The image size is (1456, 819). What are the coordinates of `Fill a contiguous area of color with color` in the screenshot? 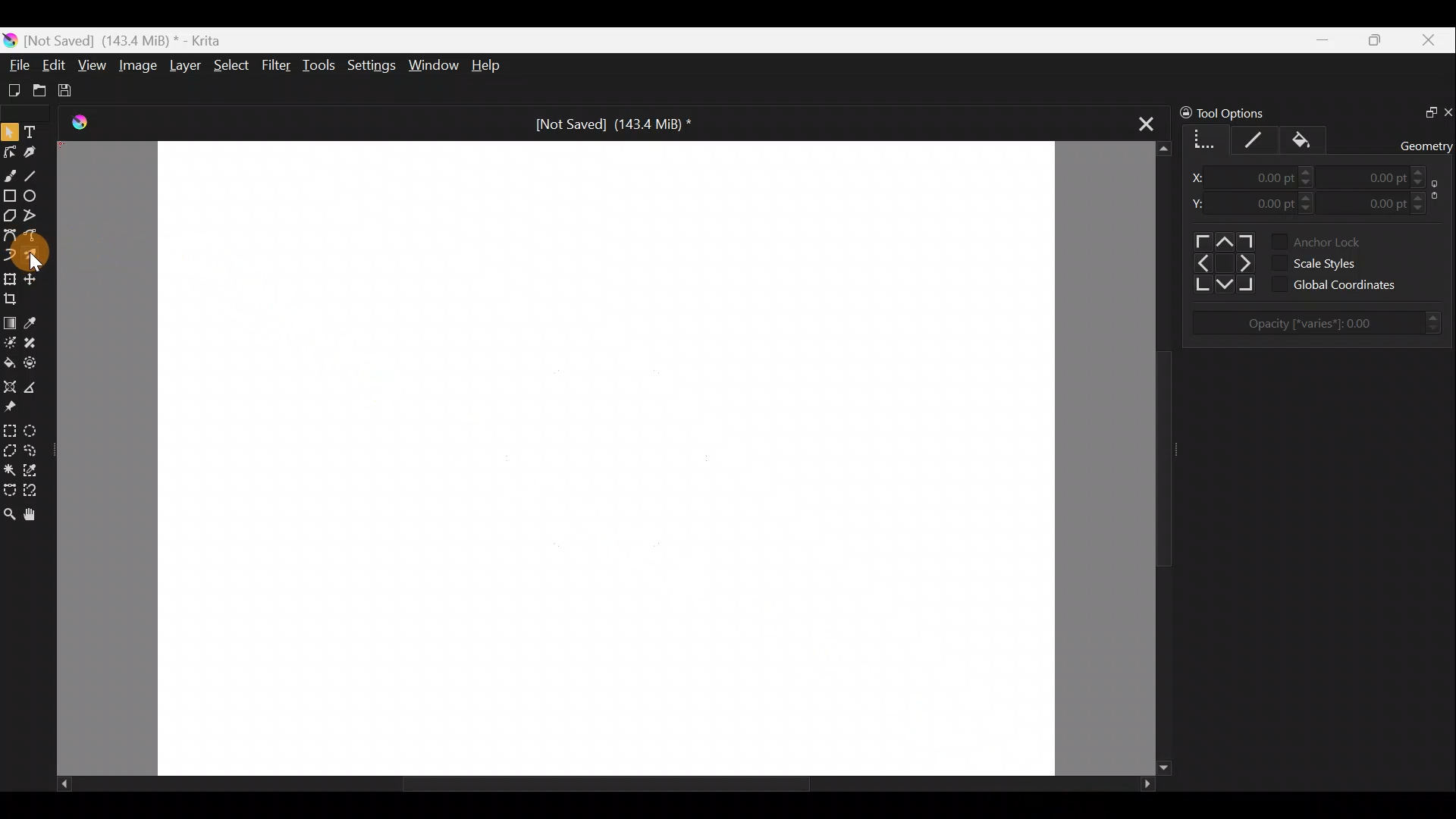 It's located at (9, 362).